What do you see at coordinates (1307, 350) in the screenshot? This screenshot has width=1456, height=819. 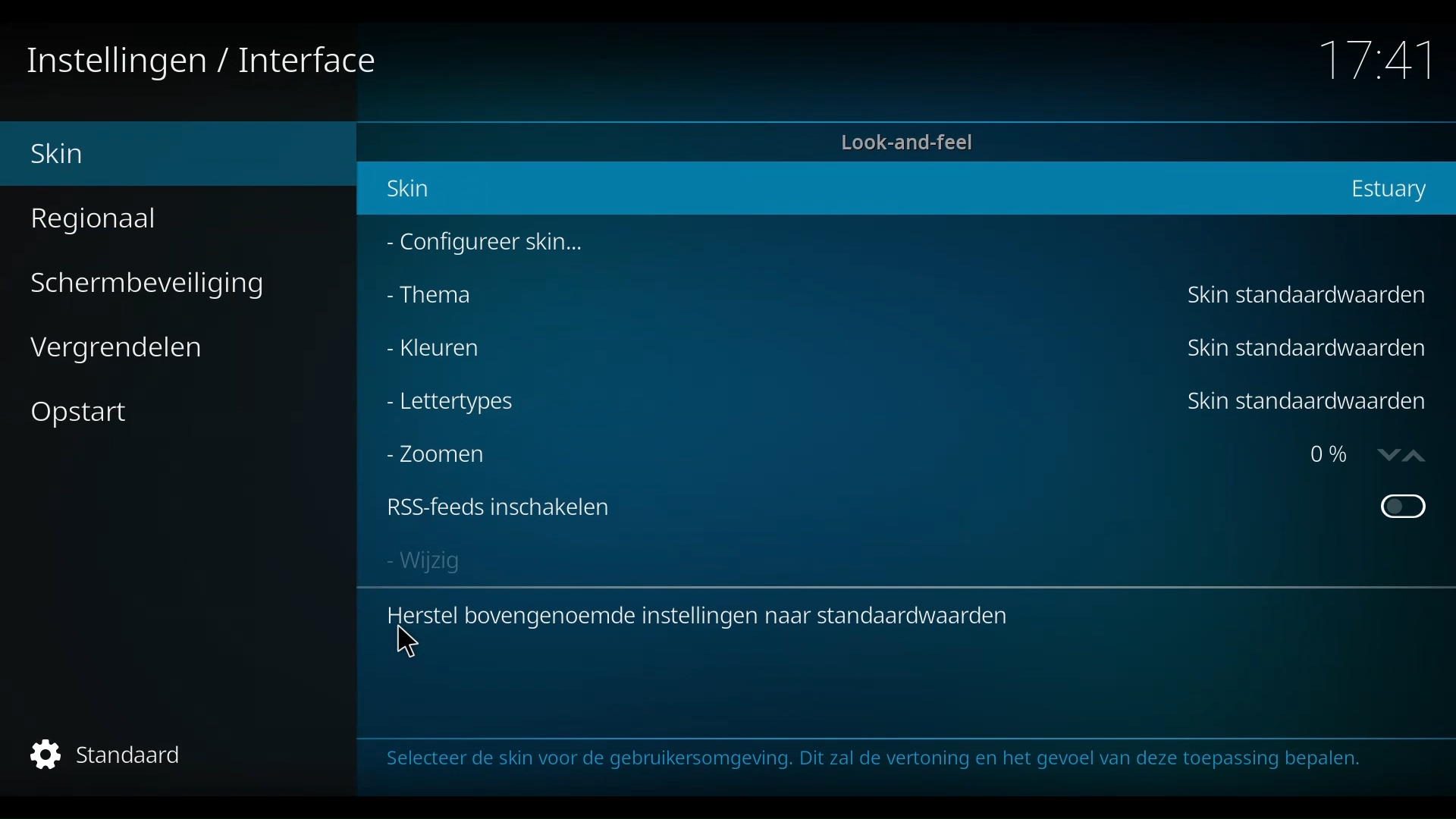 I see `Skin standaardwaarden` at bounding box center [1307, 350].